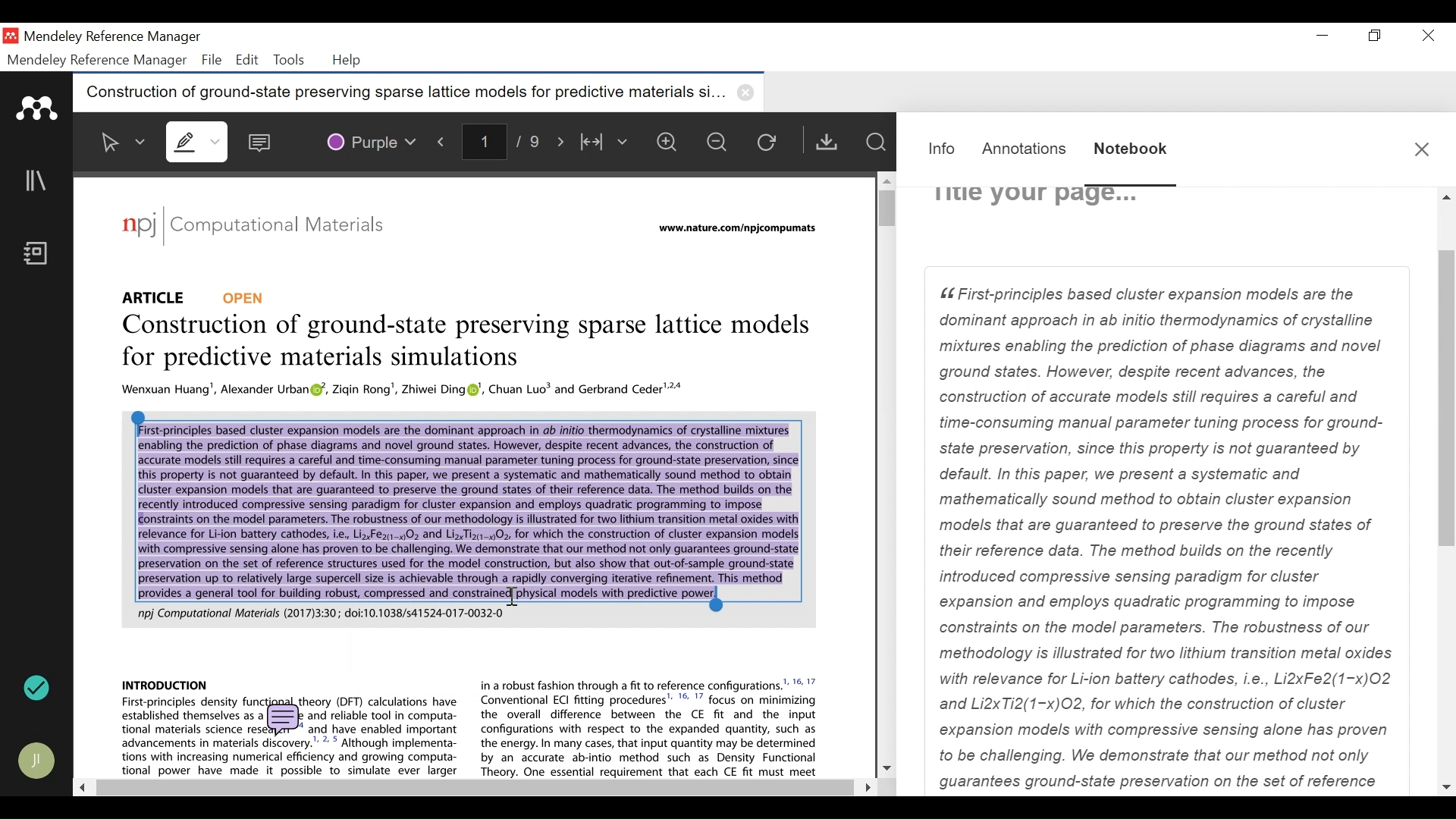 This screenshot has width=1456, height=819. What do you see at coordinates (748, 93) in the screenshot?
I see `close` at bounding box center [748, 93].